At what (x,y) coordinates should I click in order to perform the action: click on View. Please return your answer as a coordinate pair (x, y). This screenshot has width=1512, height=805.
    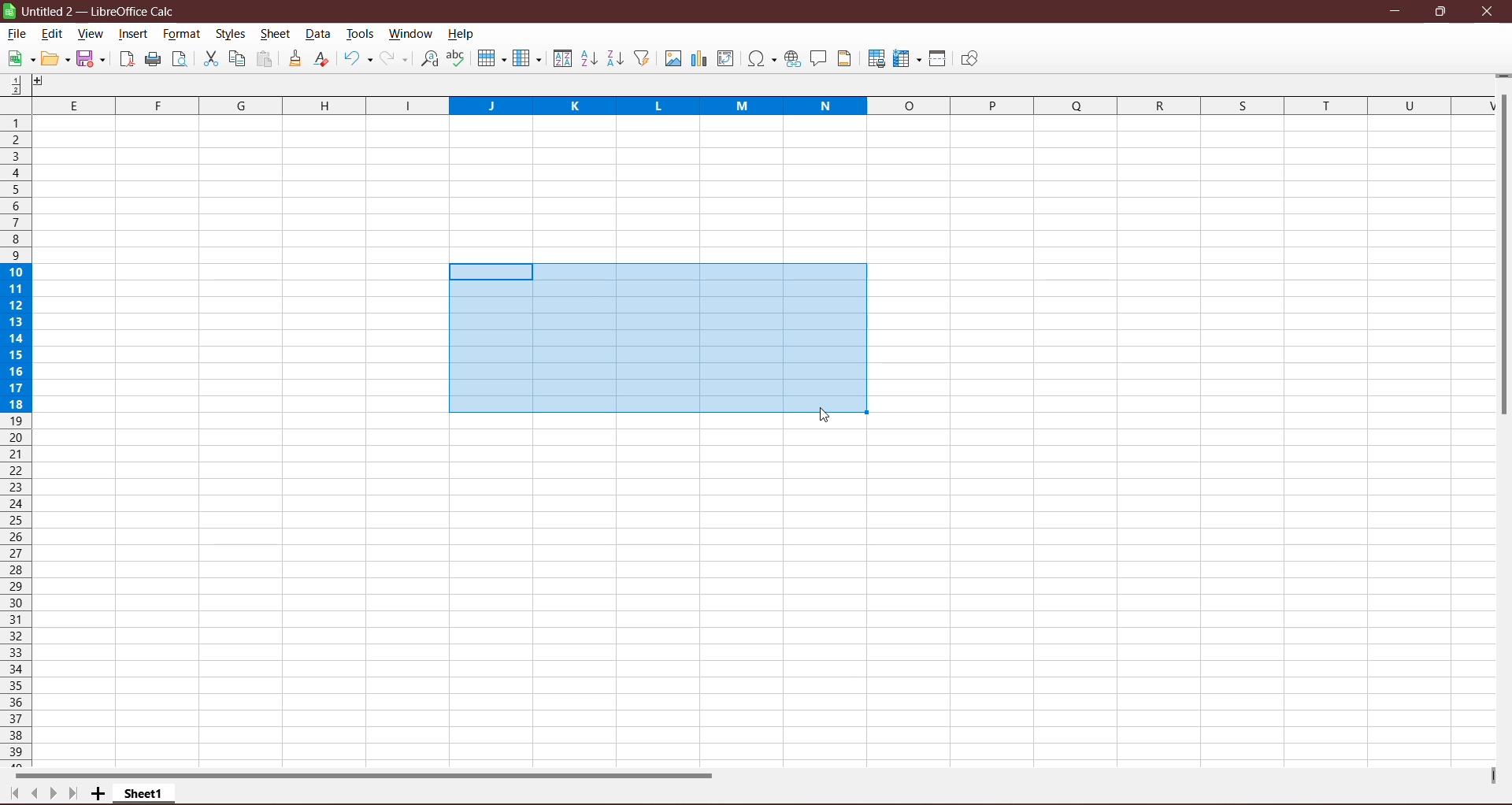
    Looking at the image, I should click on (89, 35).